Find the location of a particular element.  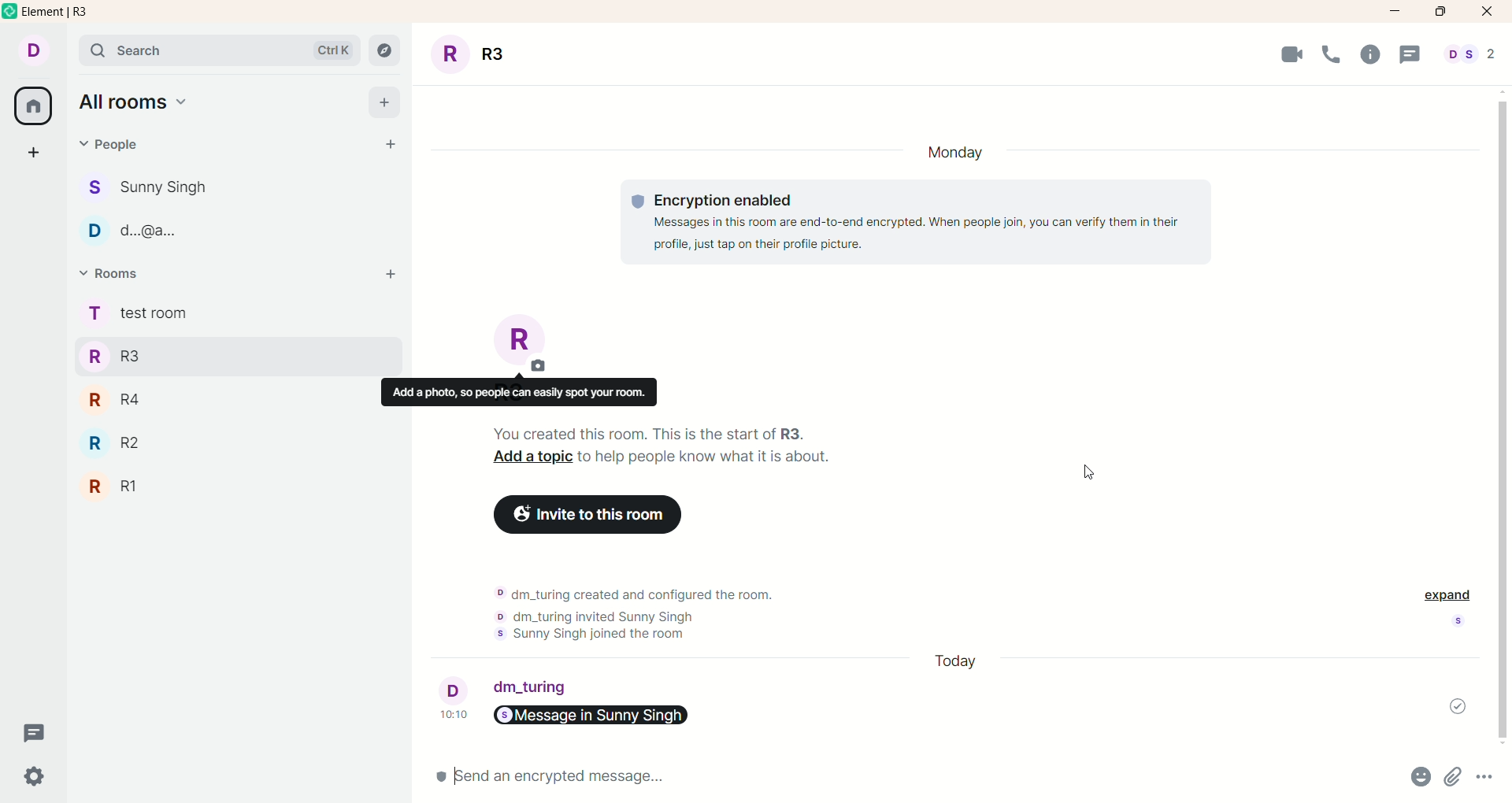

settings is located at coordinates (40, 777).